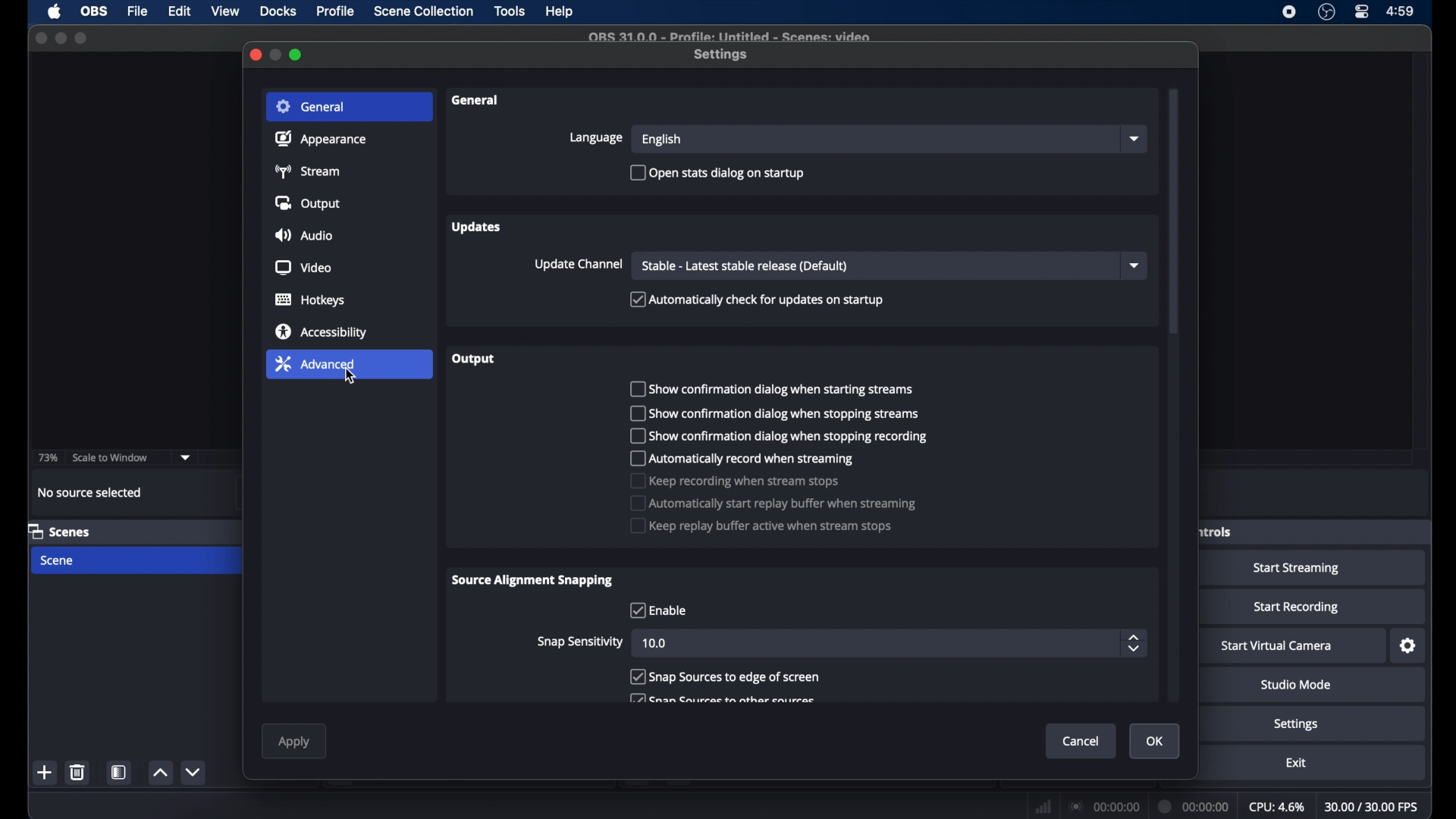 This screenshot has height=819, width=1456. I want to click on settings, so click(1296, 724).